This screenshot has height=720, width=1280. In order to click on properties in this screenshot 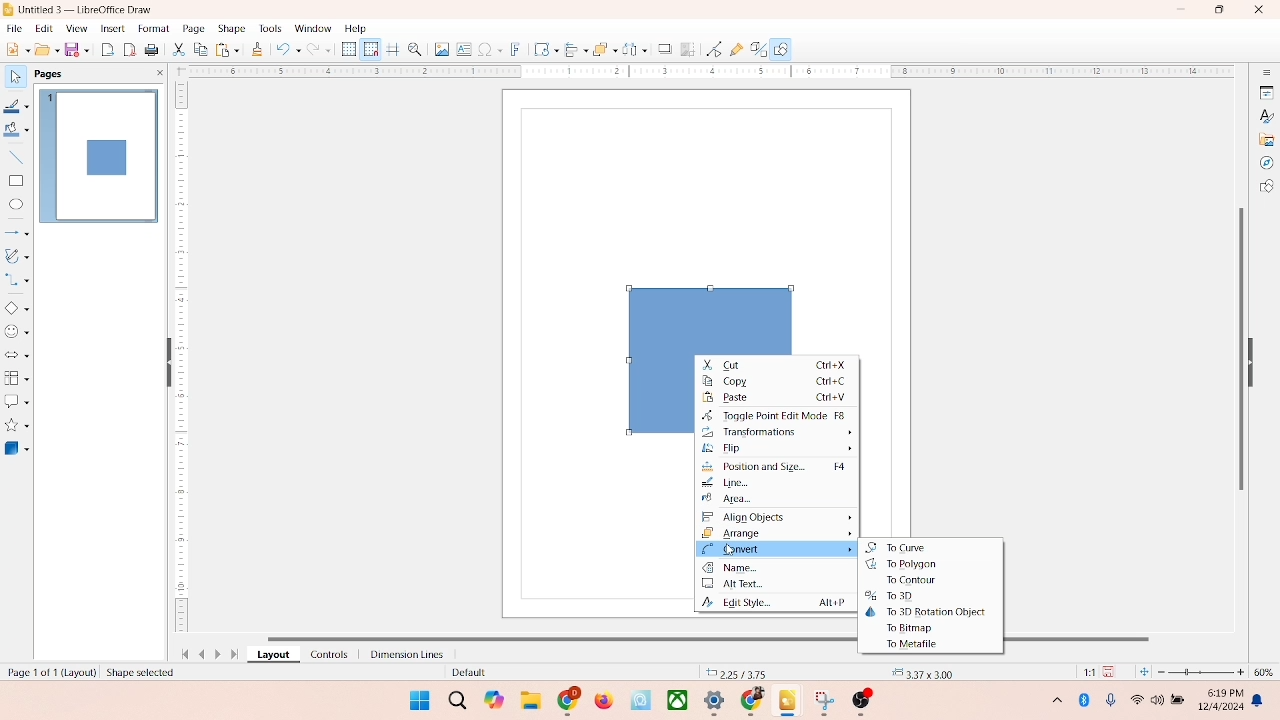, I will do `click(1265, 91)`.